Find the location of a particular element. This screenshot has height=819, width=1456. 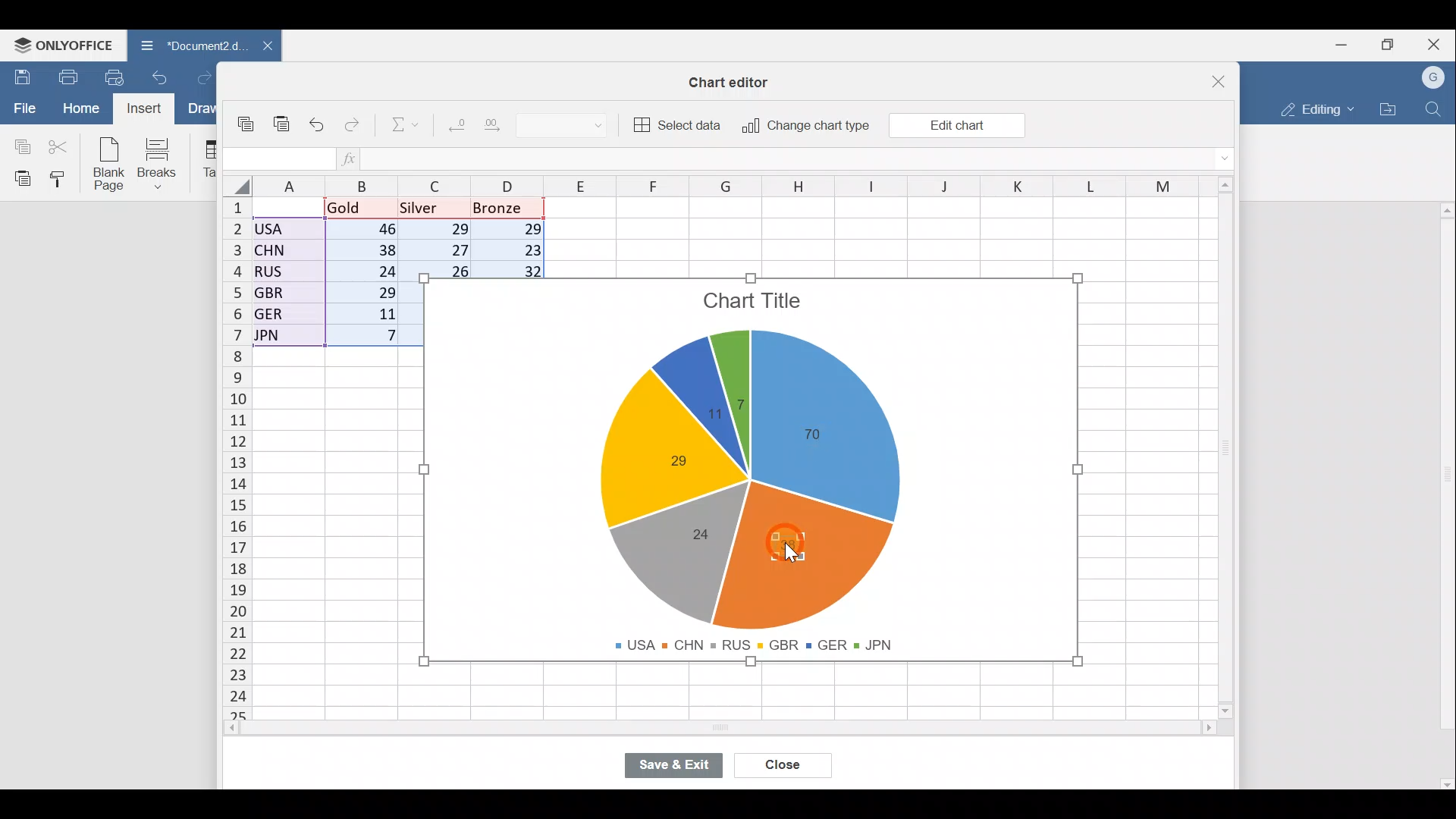

Account name is located at coordinates (1434, 78).